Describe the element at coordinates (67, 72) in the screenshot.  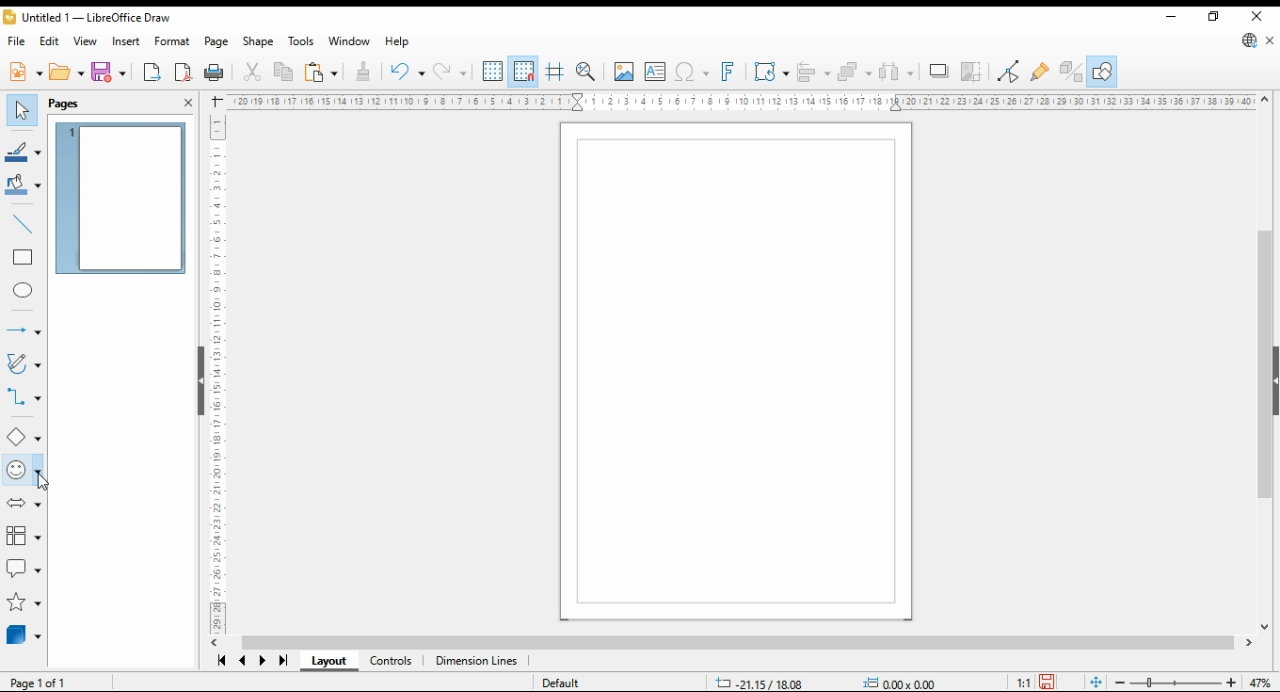
I see `open ` at that location.